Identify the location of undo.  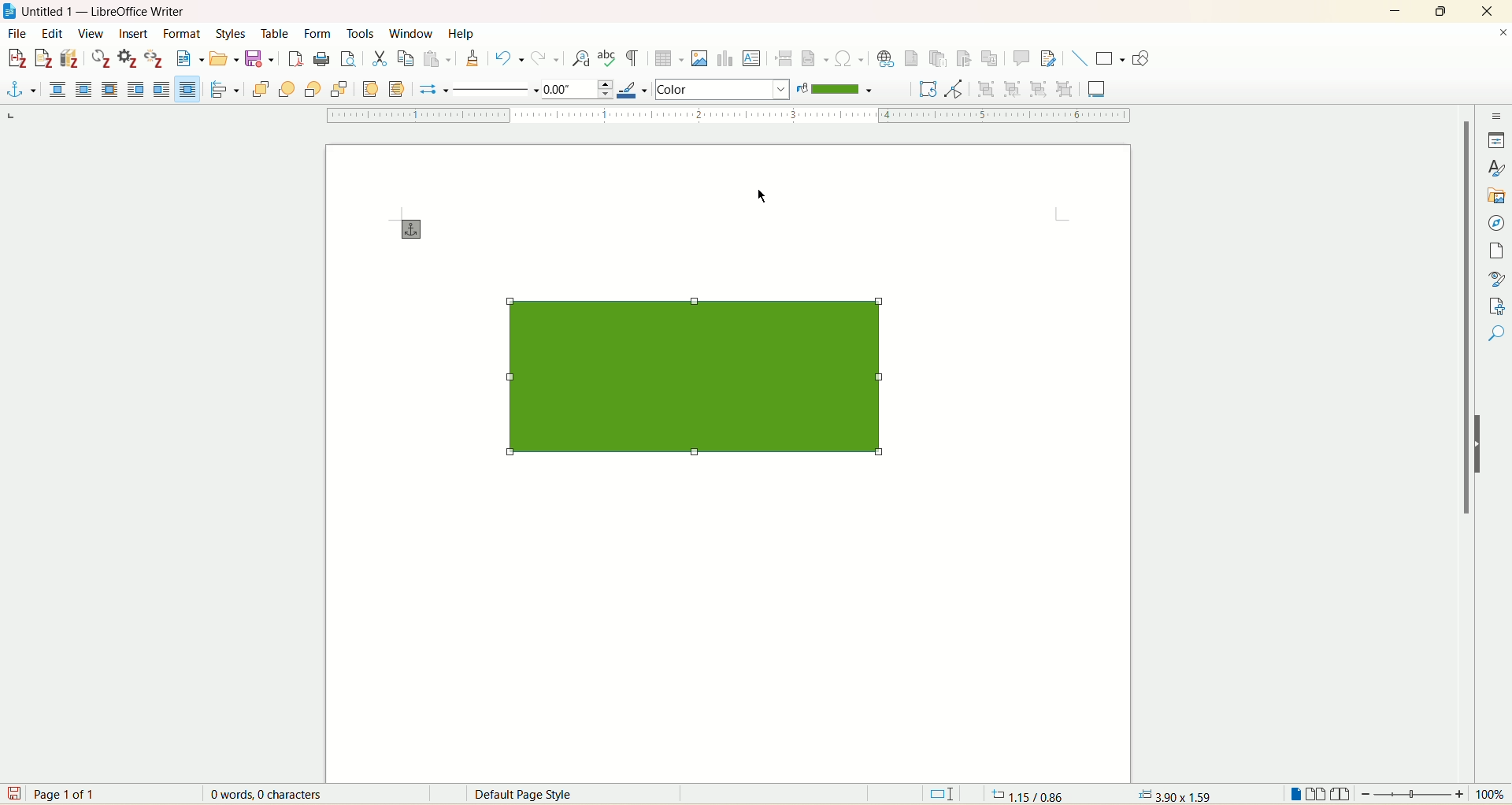
(511, 61).